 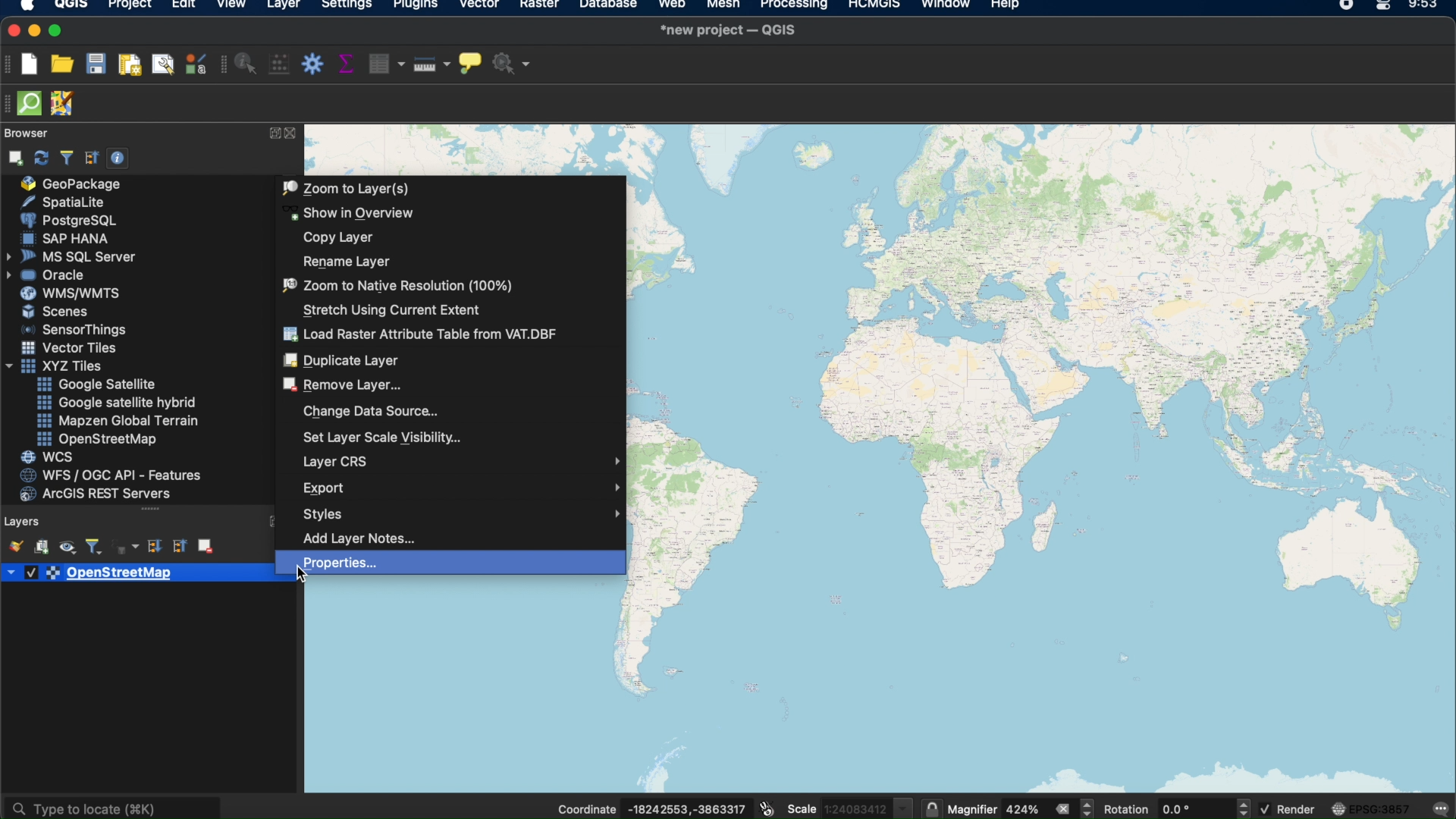 I want to click on add group, so click(x=41, y=548).